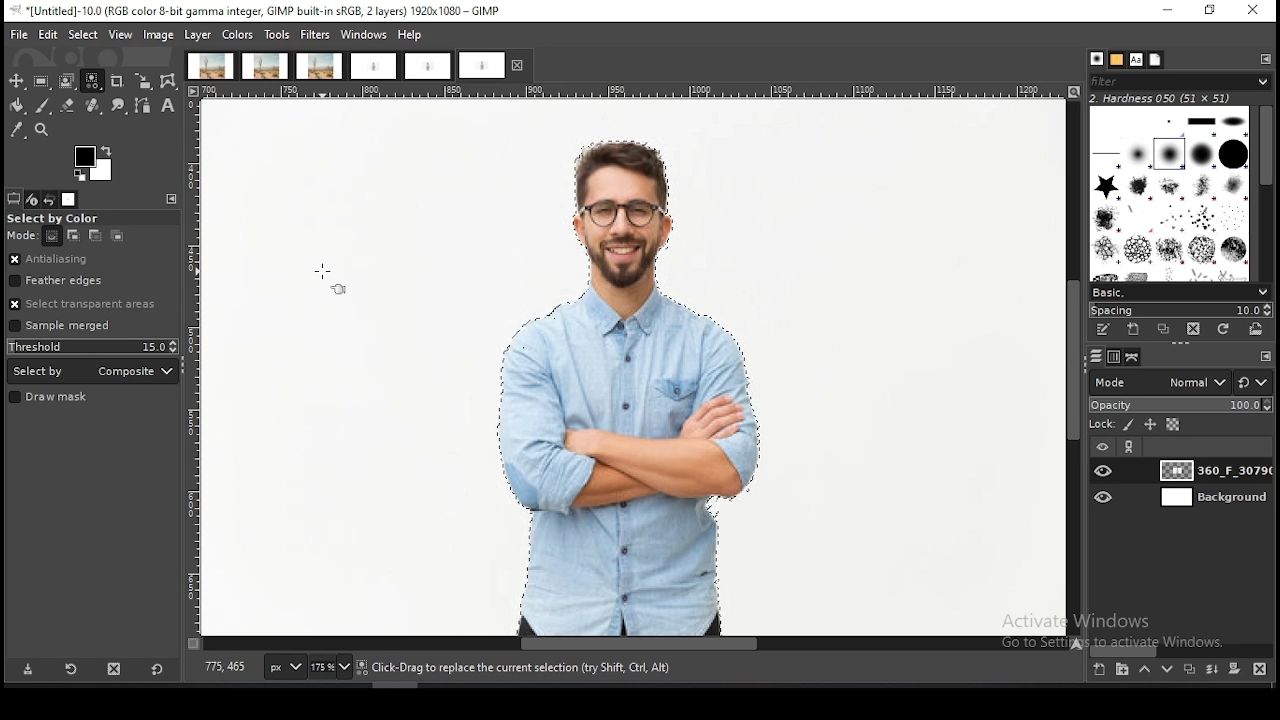  Describe the element at coordinates (116, 667) in the screenshot. I see `delete tool preset` at that location.